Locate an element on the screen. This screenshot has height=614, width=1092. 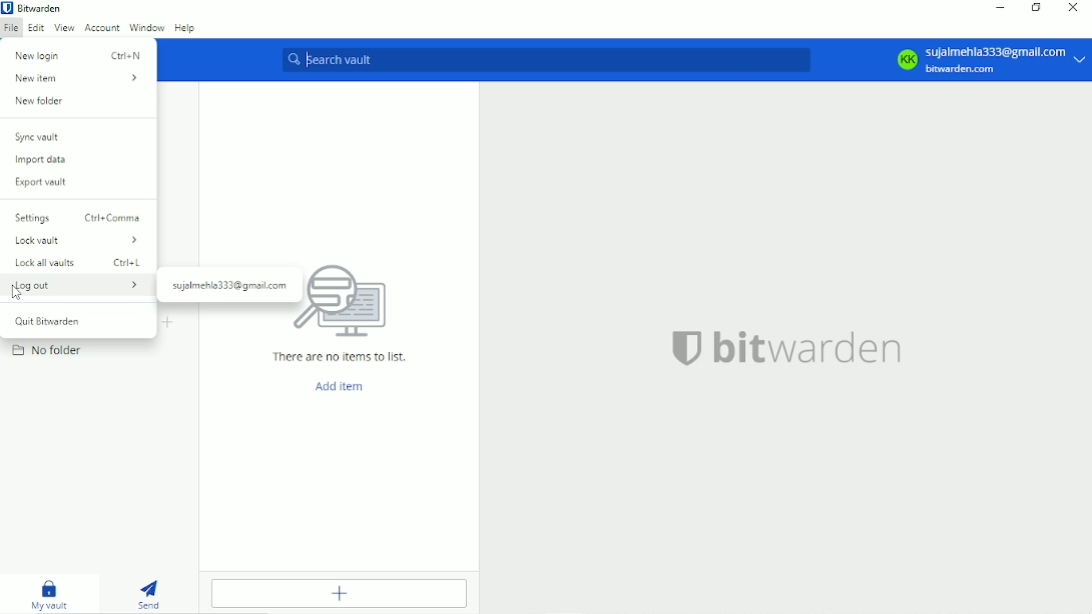
Lock vault > is located at coordinates (77, 240).